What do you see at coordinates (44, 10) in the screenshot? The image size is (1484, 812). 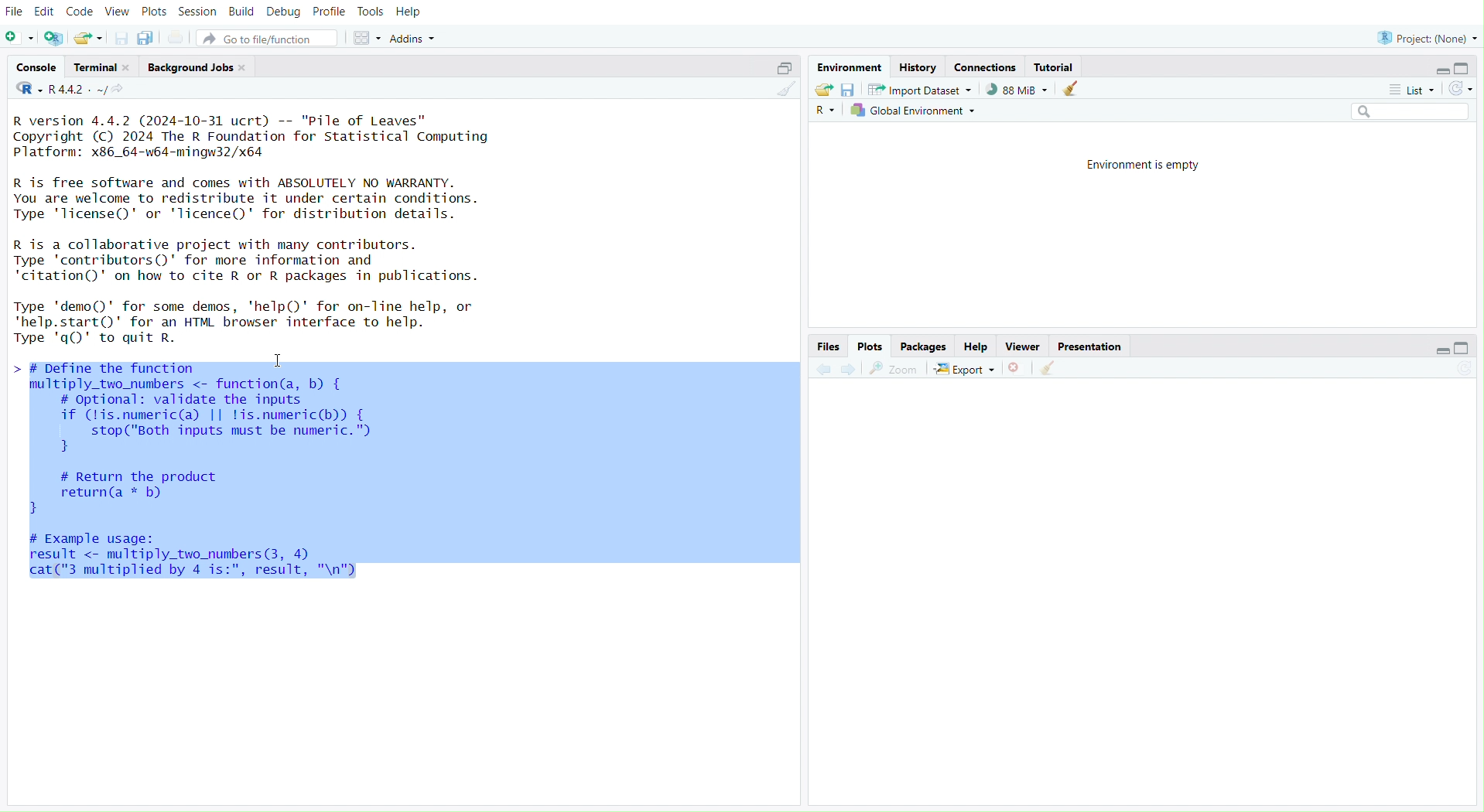 I see `Edit` at bounding box center [44, 10].